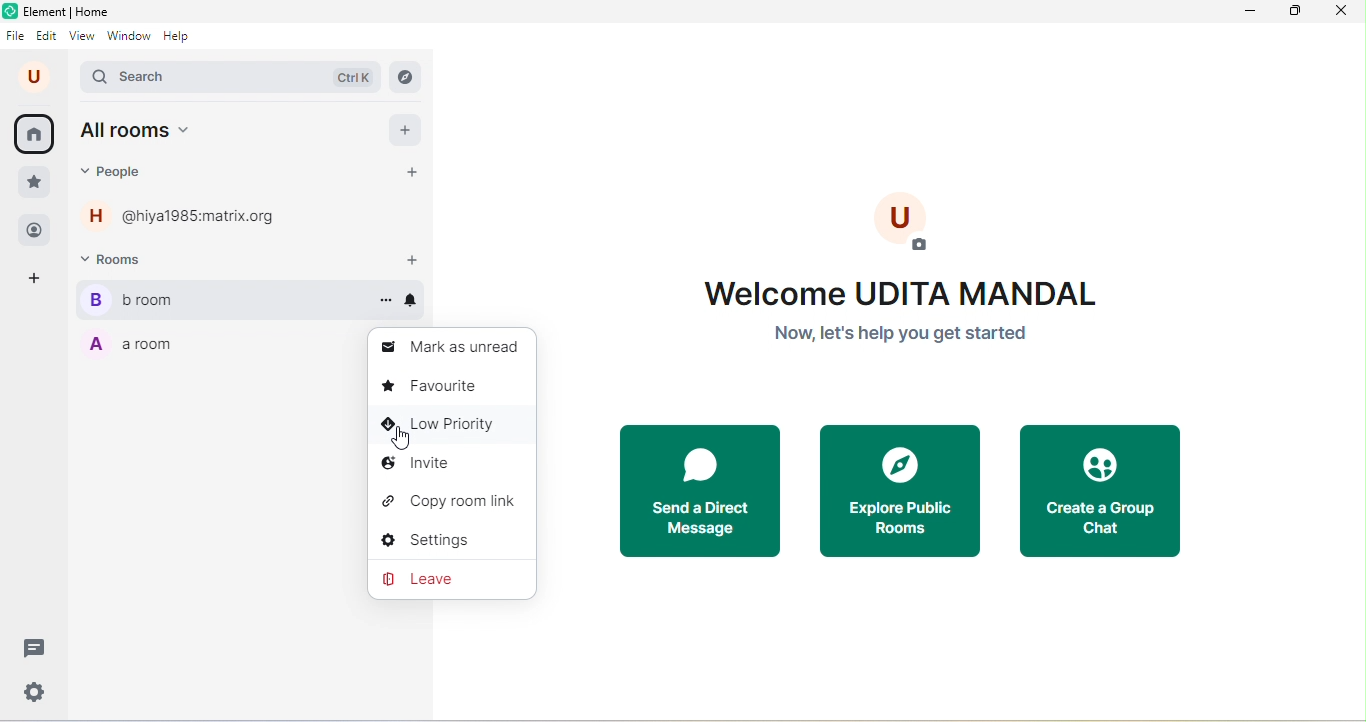 The height and width of the screenshot is (722, 1366). I want to click on window, so click(129, 36).